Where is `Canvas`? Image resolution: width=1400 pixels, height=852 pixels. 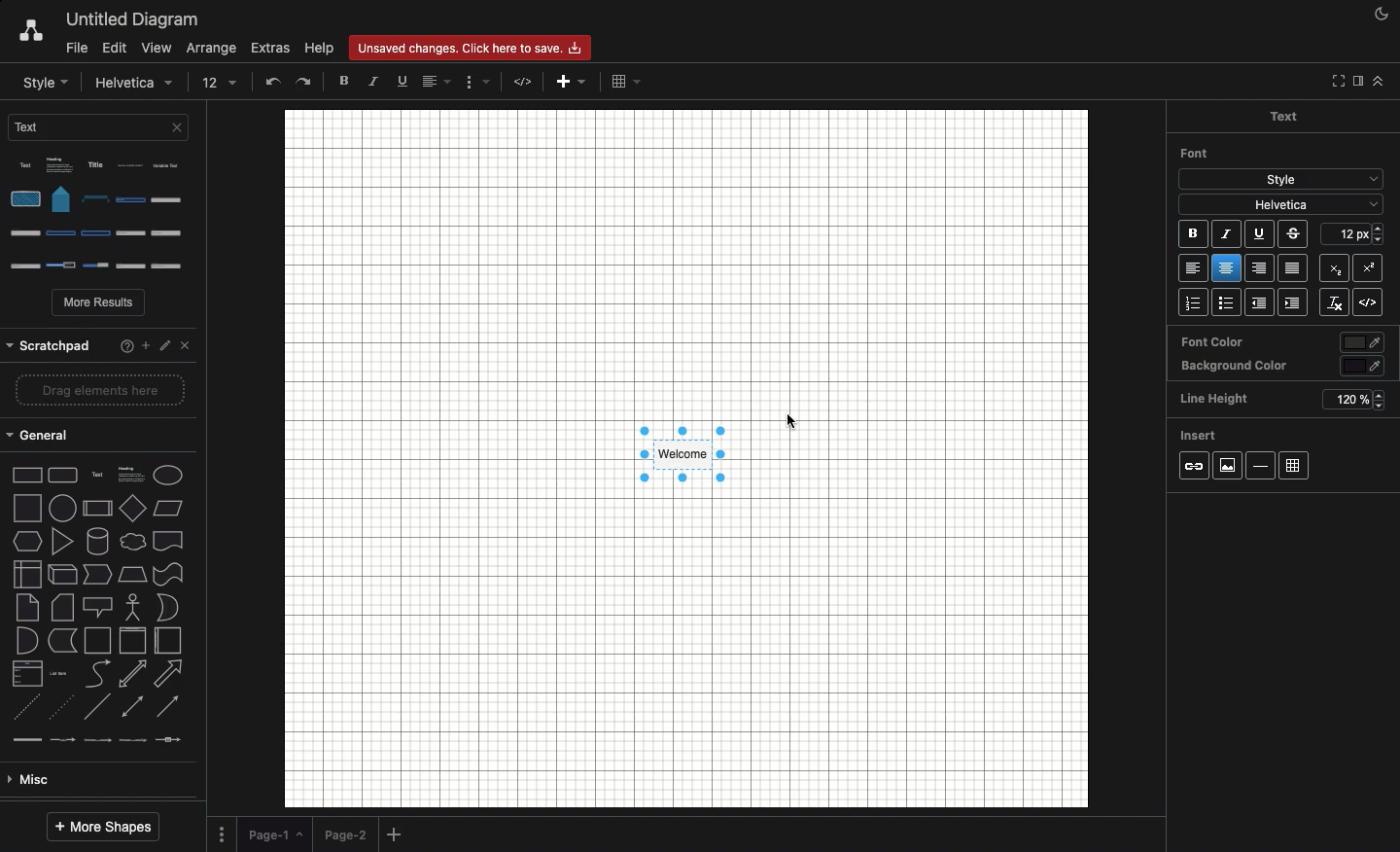
Canvas is located at coordinates (681, 456).